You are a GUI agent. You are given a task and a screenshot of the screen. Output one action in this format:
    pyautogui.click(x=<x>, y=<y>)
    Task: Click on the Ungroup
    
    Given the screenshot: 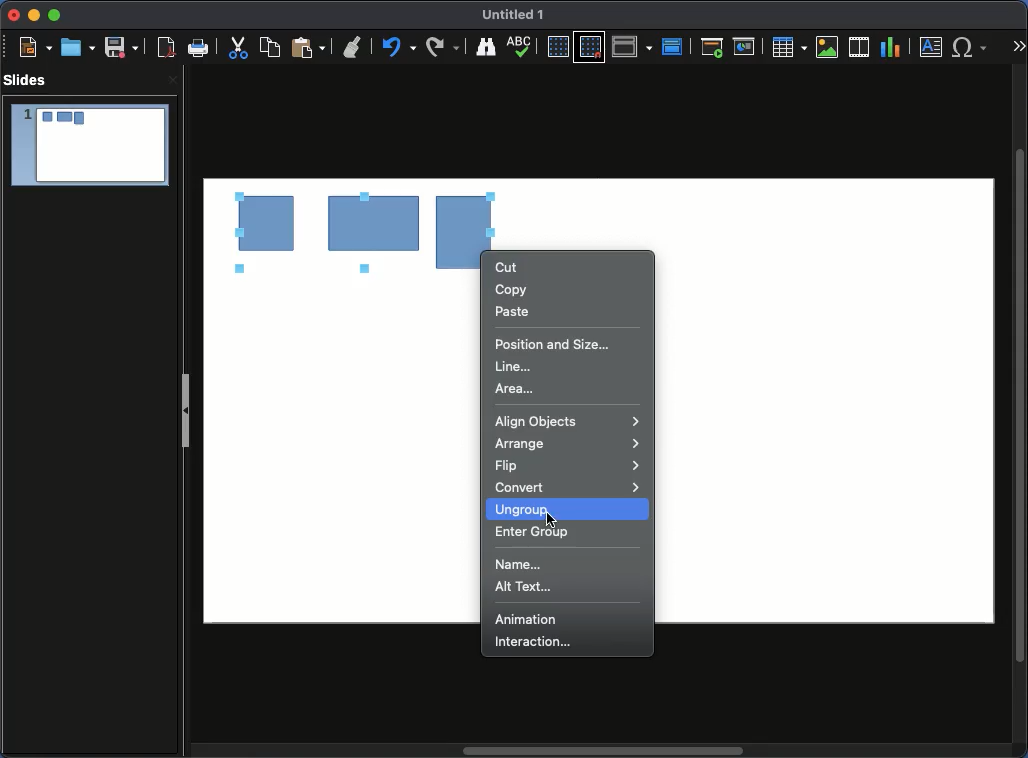 What is the action you would take?
    pyautogui.click(x=519, y=510)
    